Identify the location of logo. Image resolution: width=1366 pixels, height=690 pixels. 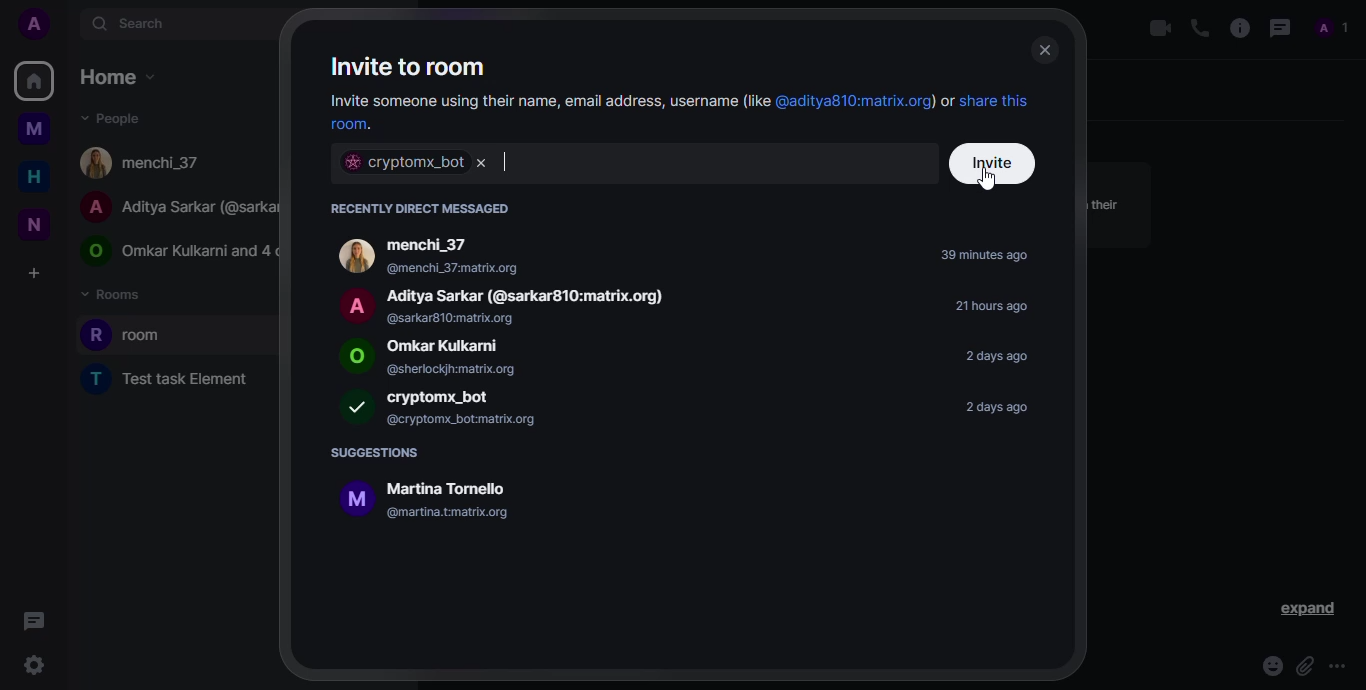
(353, 498).